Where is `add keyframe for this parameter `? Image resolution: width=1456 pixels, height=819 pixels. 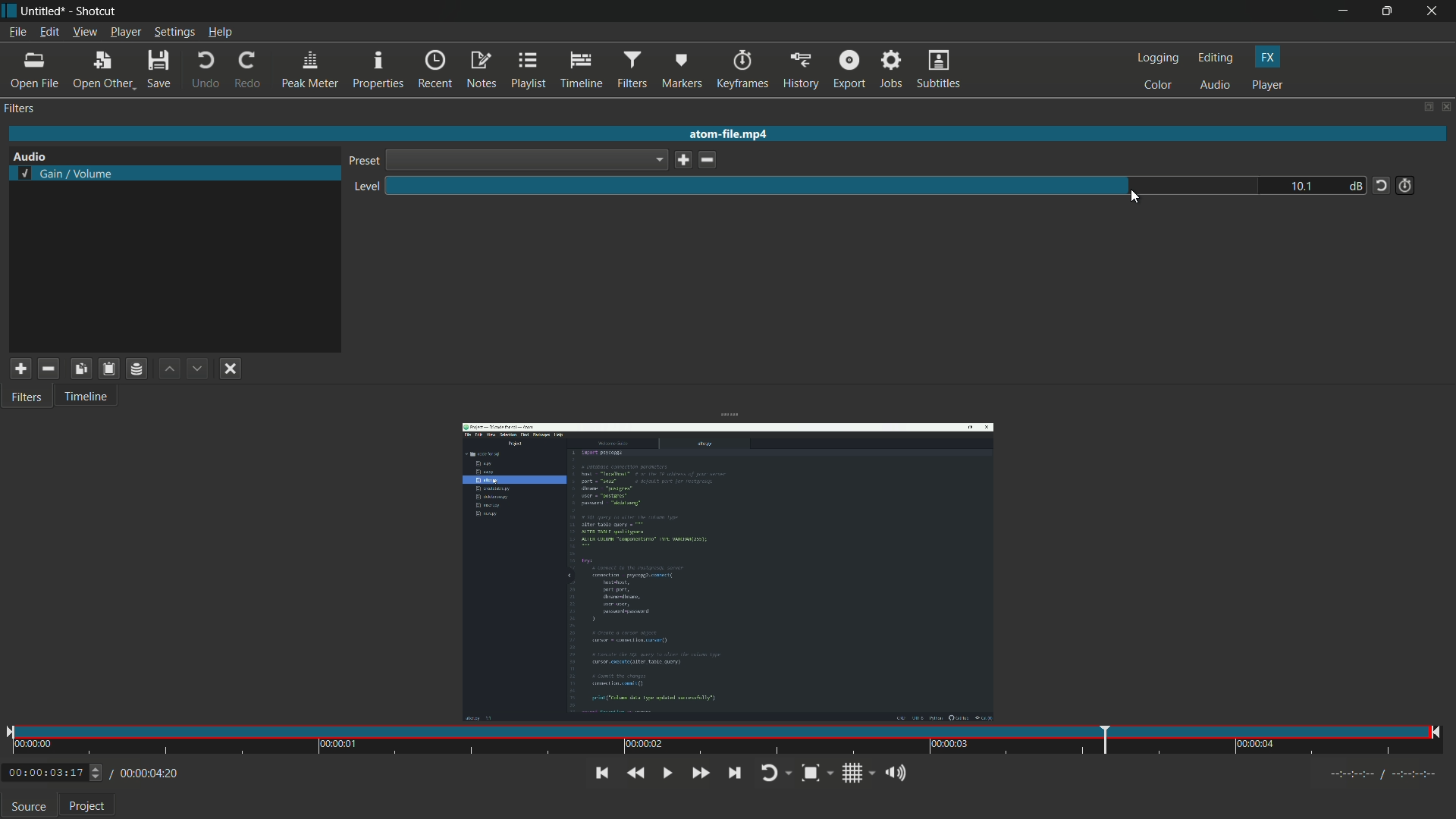
add keyframe for this parameter  is located at coordinates (1405, 185).